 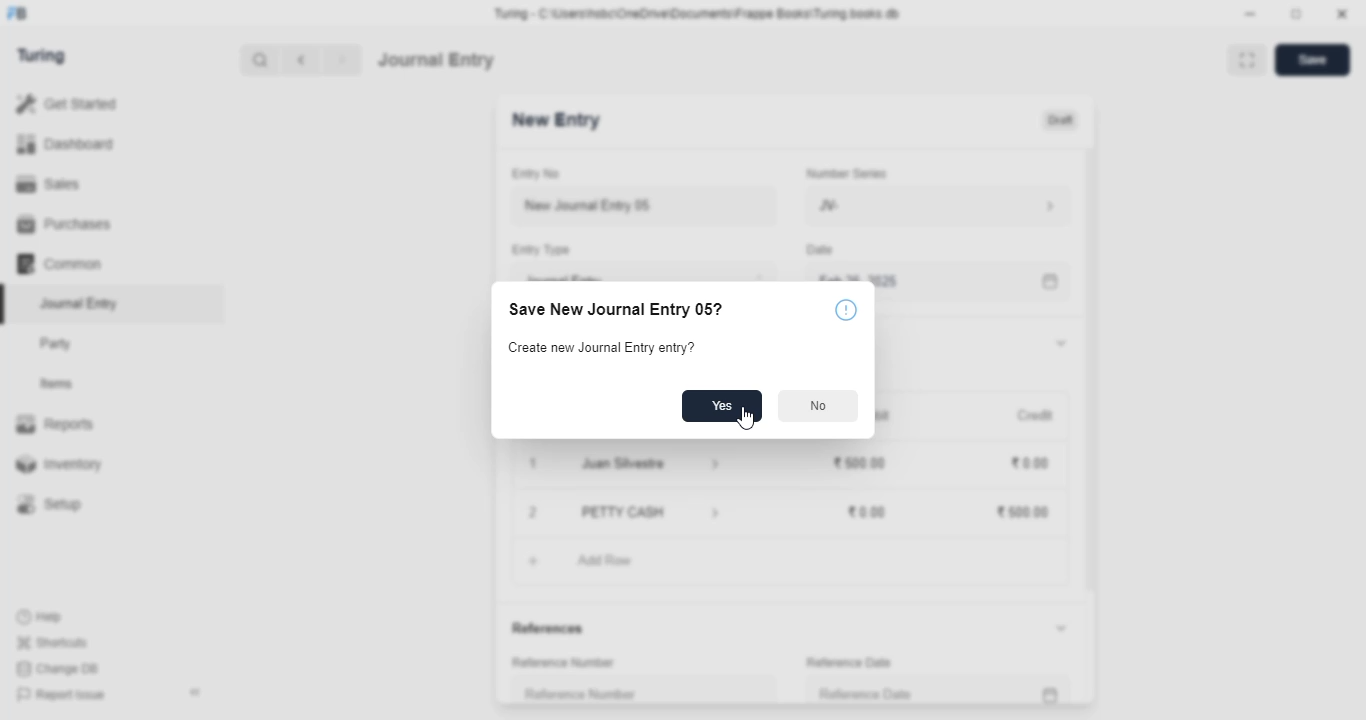 I want to click on calendar icon, so click(x=1049, y=281).